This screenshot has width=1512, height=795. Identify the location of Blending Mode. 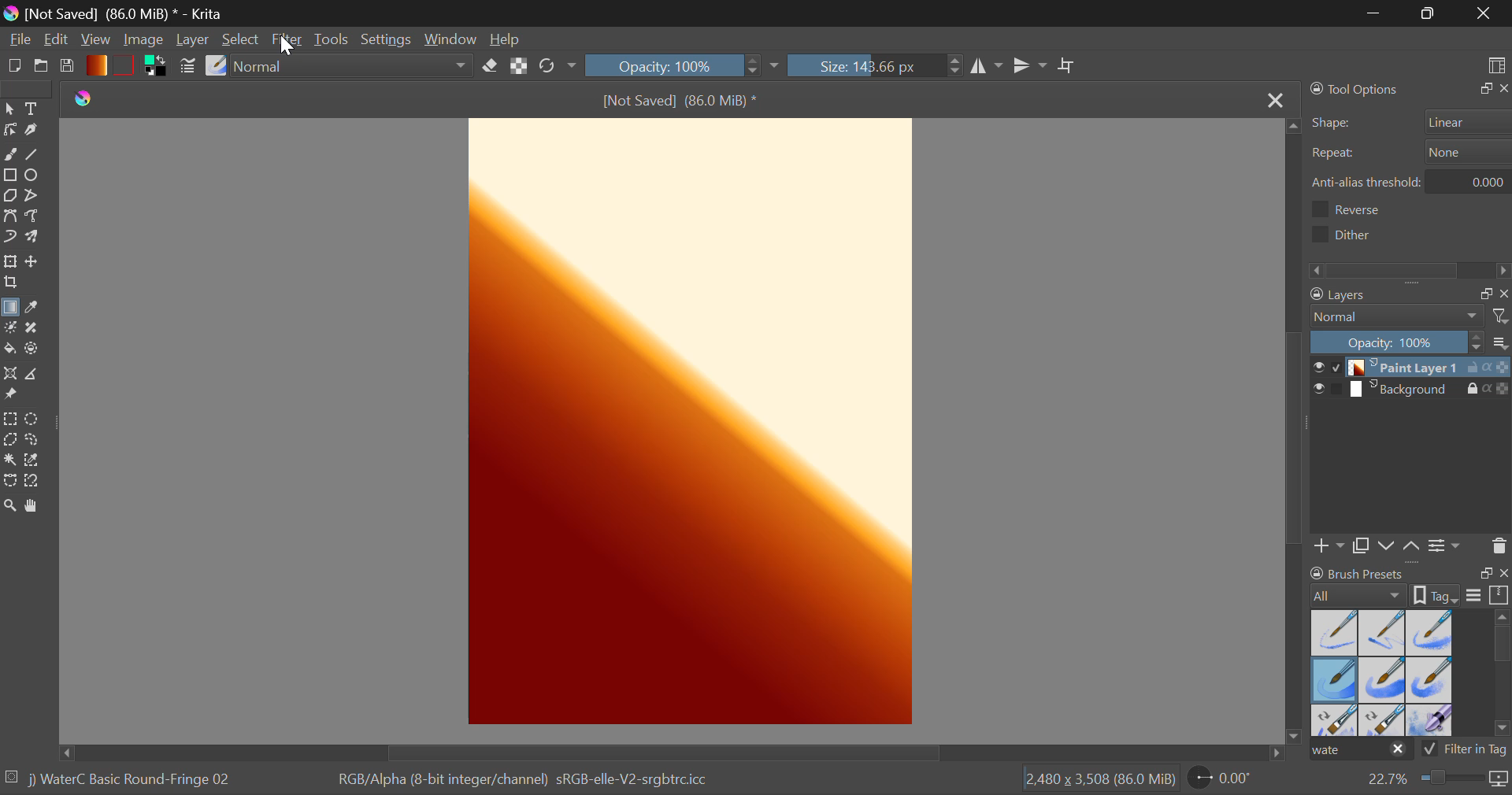
(354, 65).